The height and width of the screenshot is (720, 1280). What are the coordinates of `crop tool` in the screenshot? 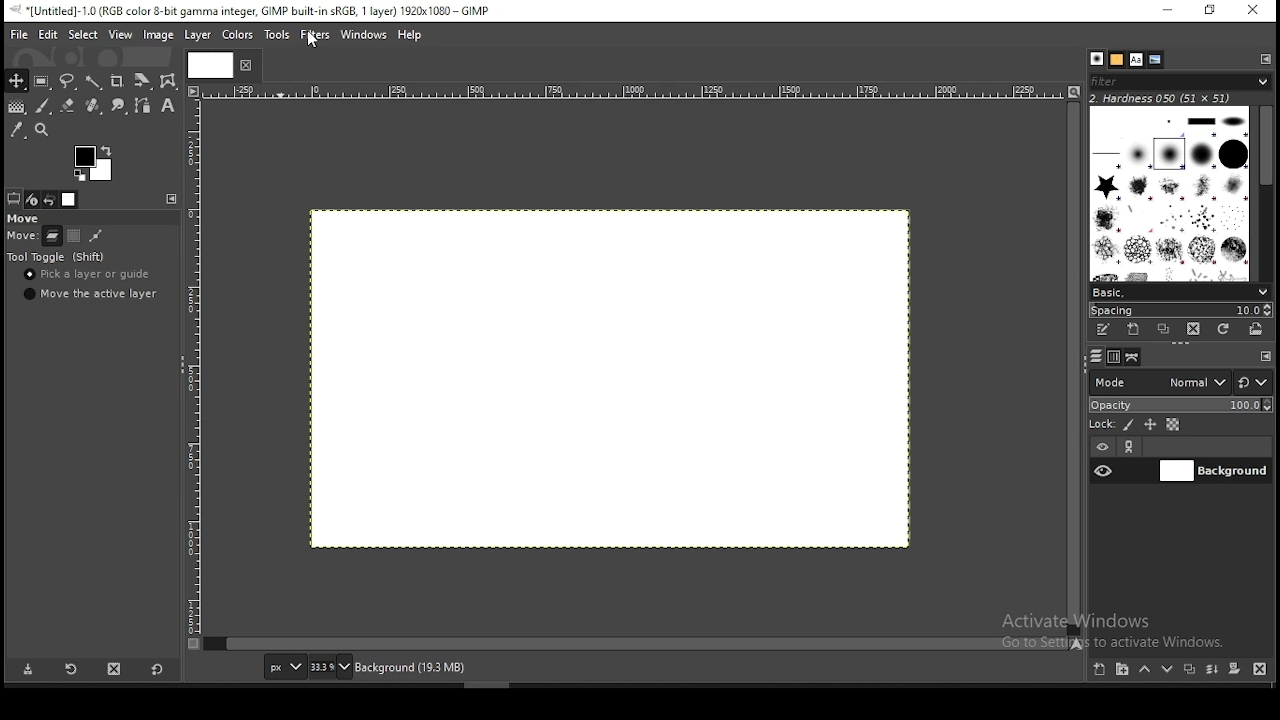 It's located at (140, 82).